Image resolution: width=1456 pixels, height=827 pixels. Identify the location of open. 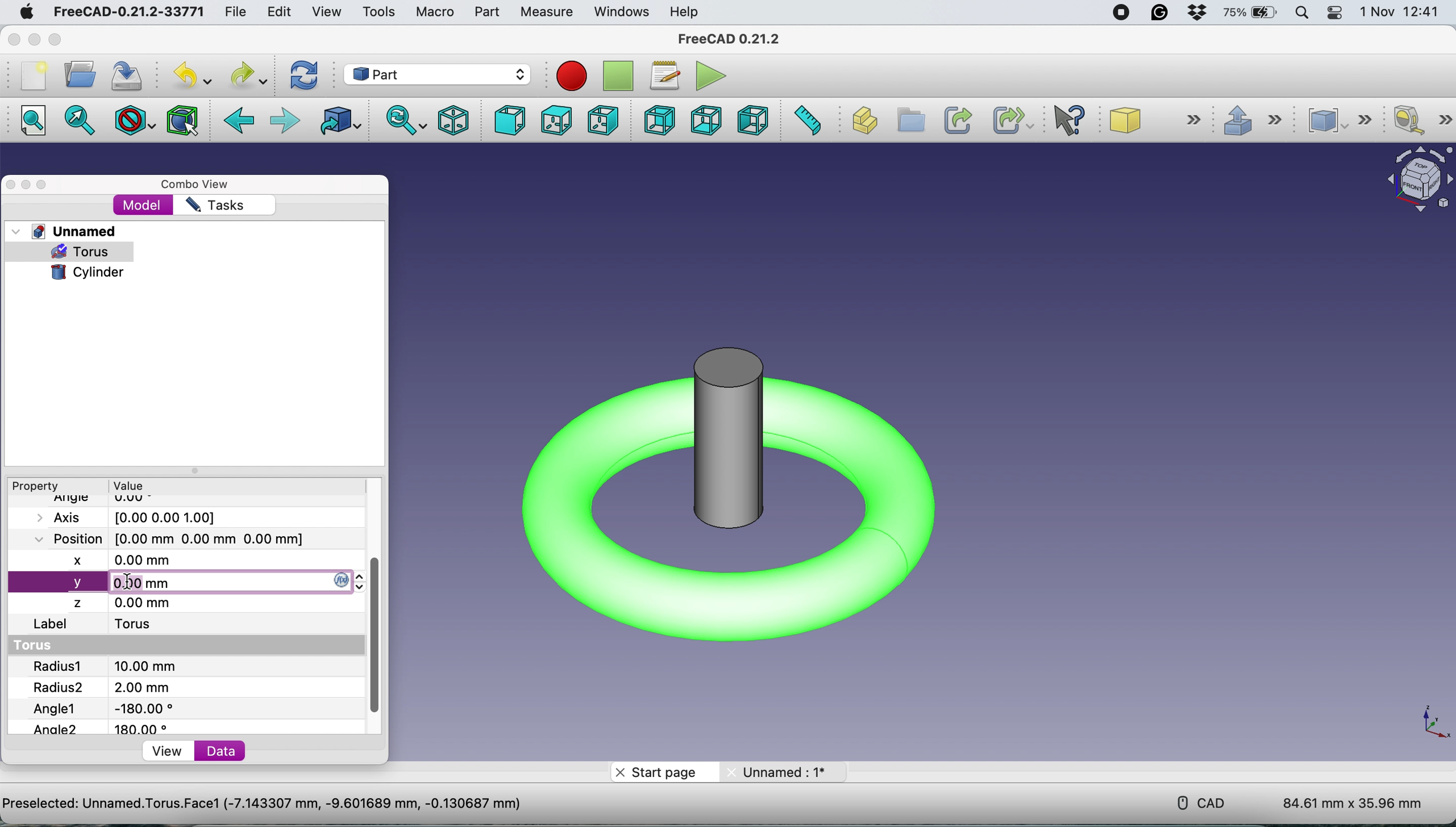
(77, 75).